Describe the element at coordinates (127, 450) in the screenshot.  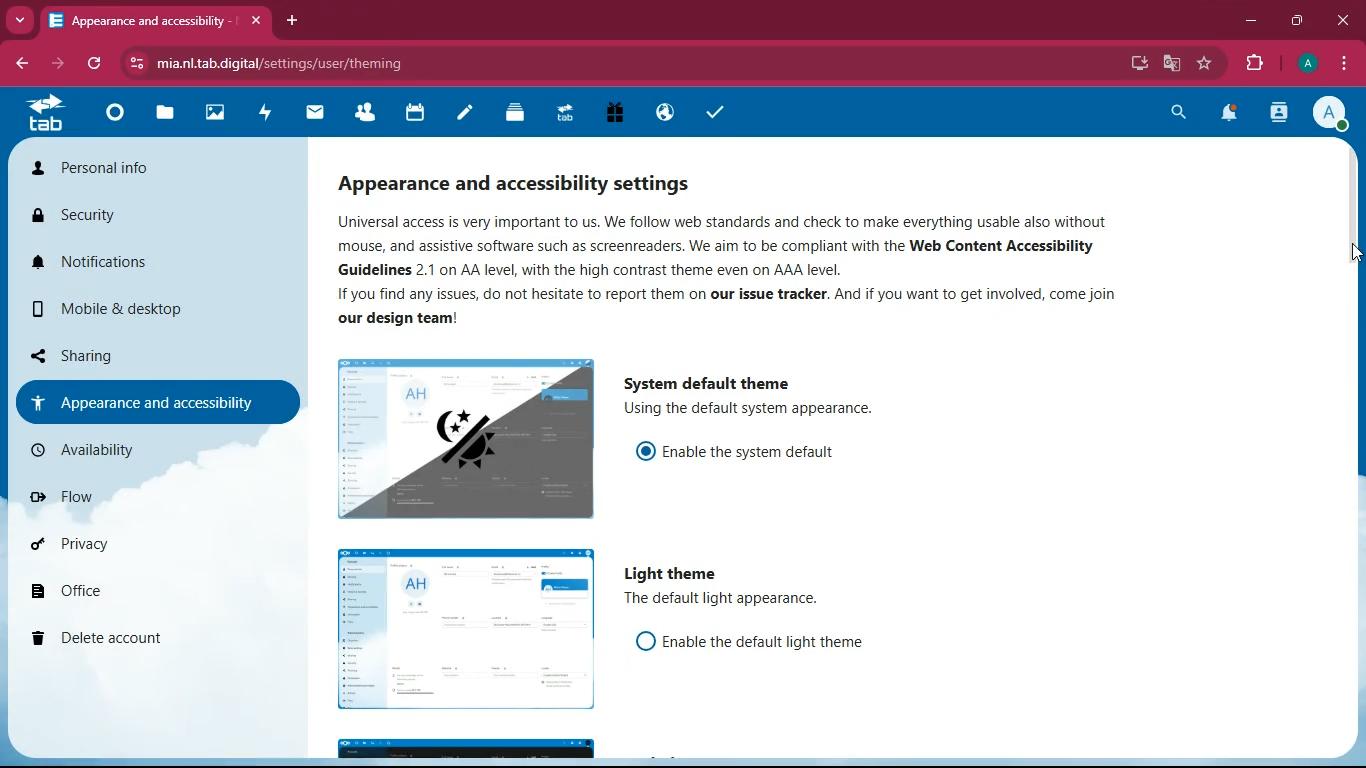
I see `availability` at that location.